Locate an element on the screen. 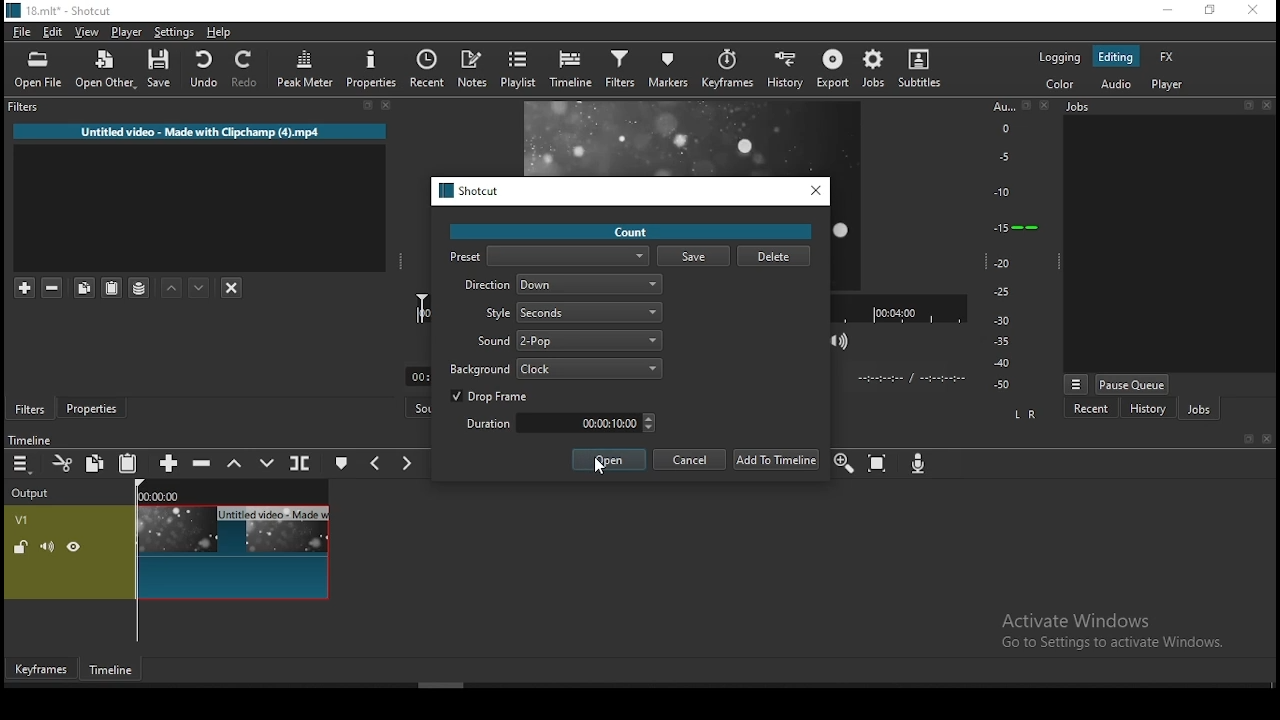 Image resolution: width=1280 pixels, height=720 pixels. style is located at coordinates (570, 312).